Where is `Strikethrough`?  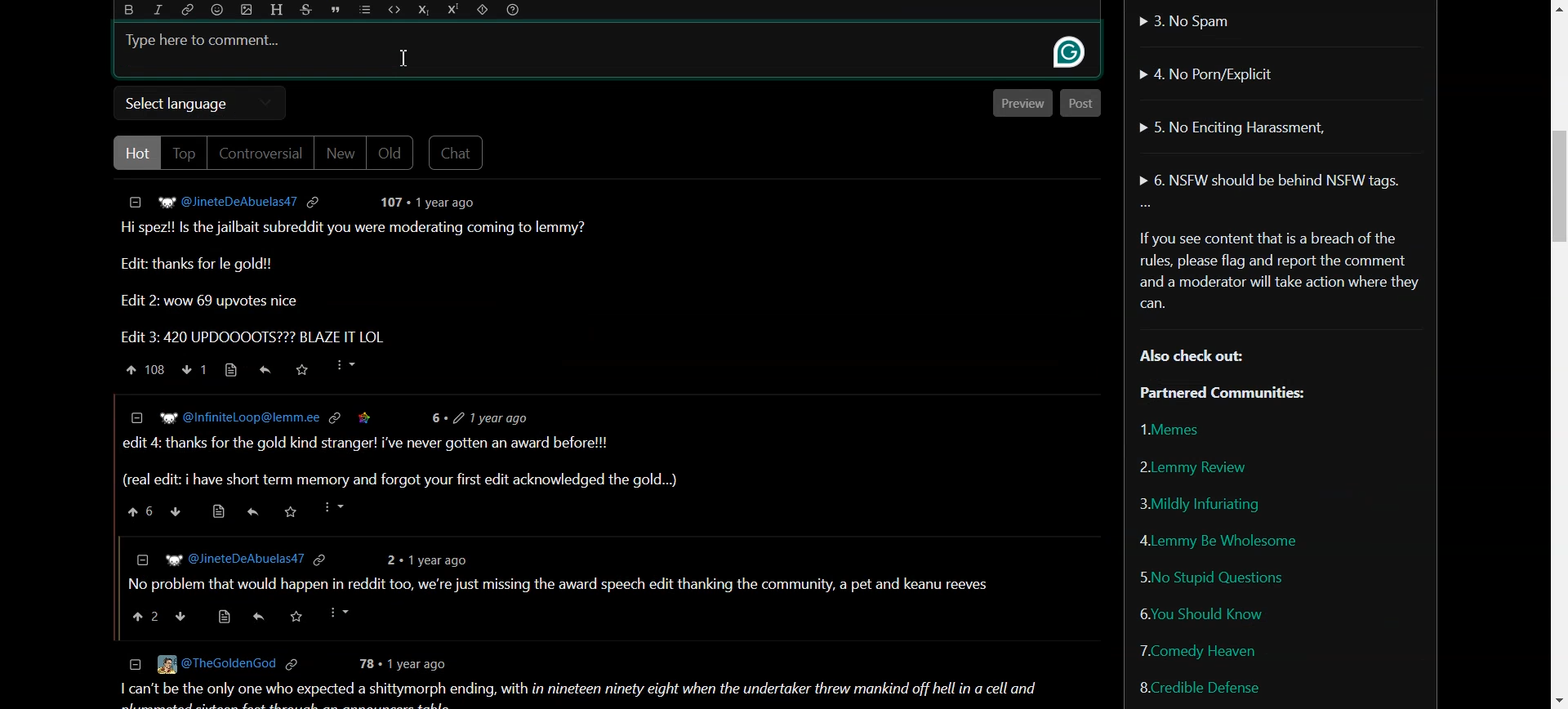
Strikethrough is located at coordinates (306, 10).